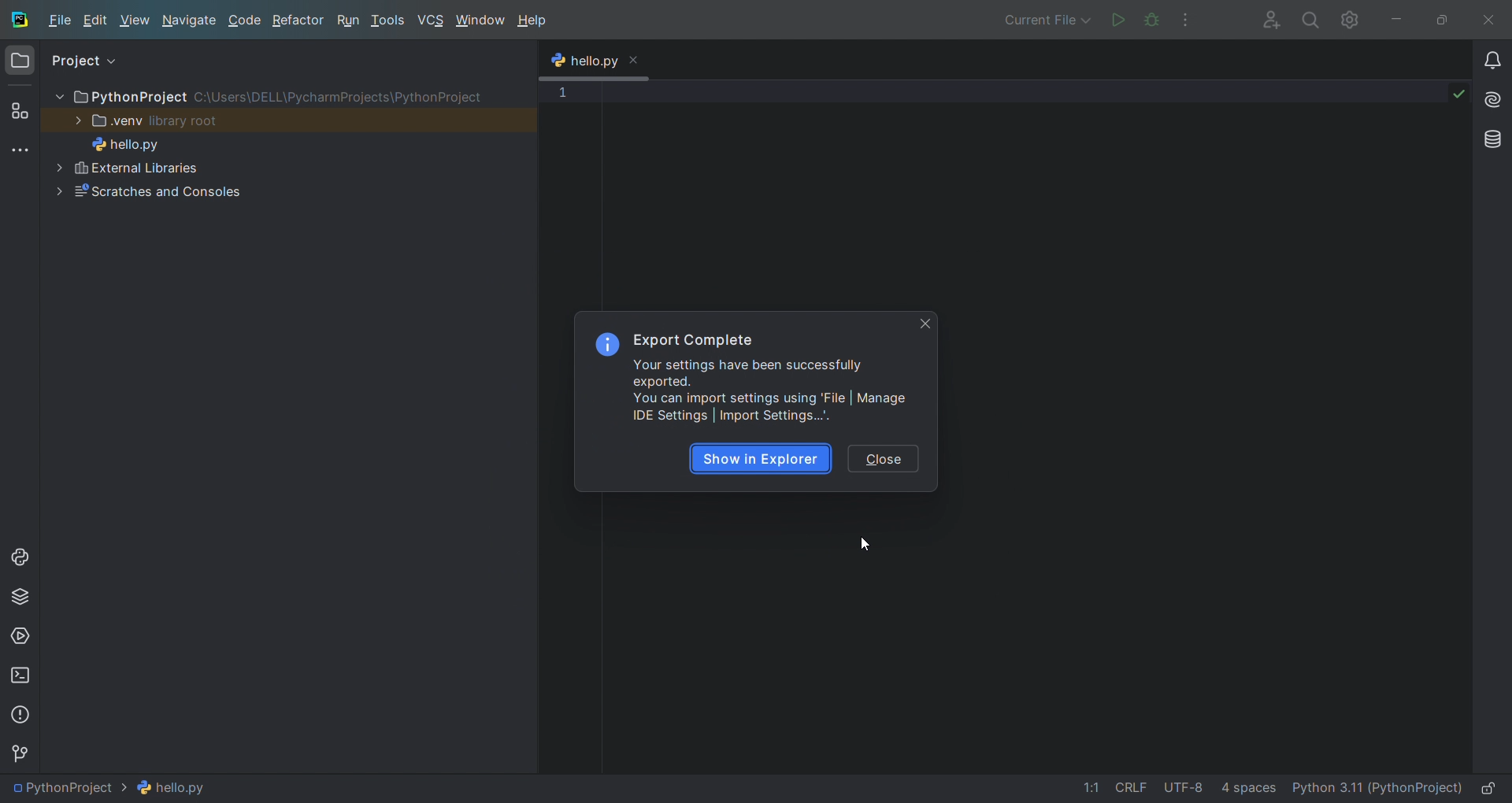  Describe the element at coordinates (480, 21) in the screenshot. I see `window` at that location.